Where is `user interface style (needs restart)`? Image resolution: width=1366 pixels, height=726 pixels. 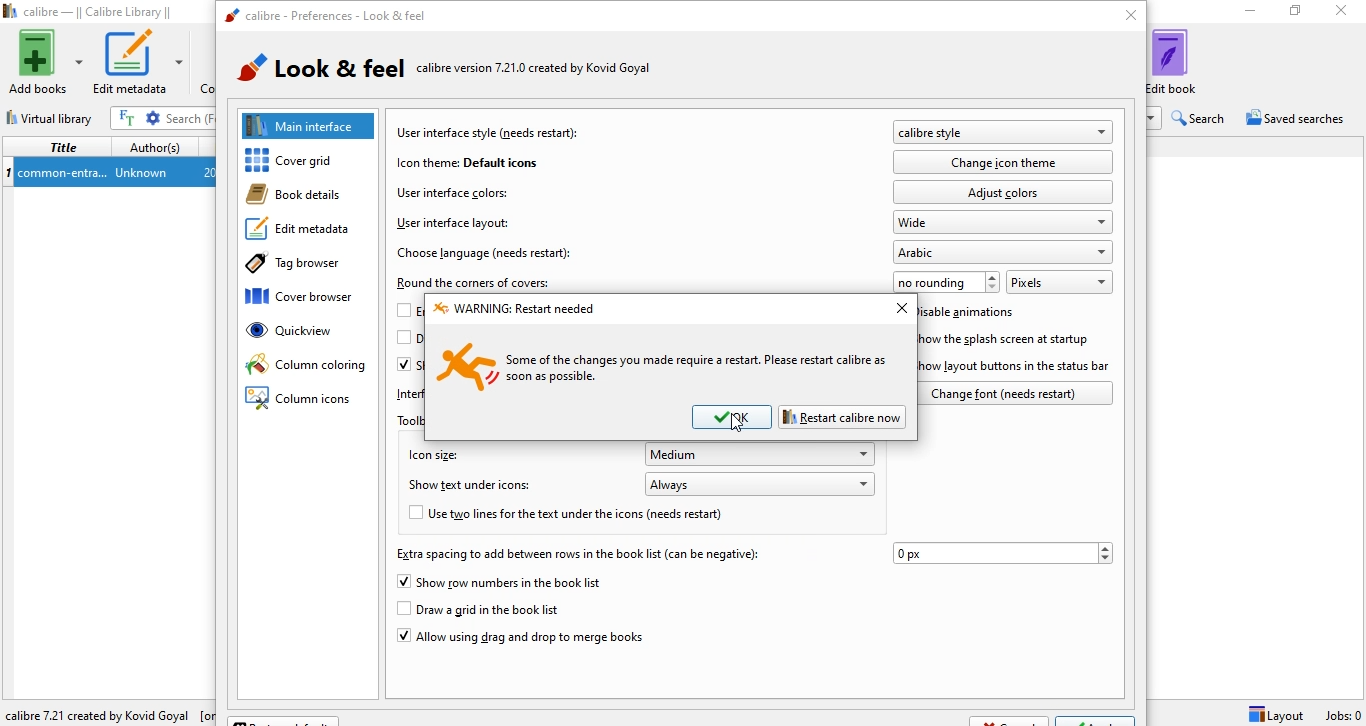 user interface style (needs restart) is located at coordinates (490, 132).